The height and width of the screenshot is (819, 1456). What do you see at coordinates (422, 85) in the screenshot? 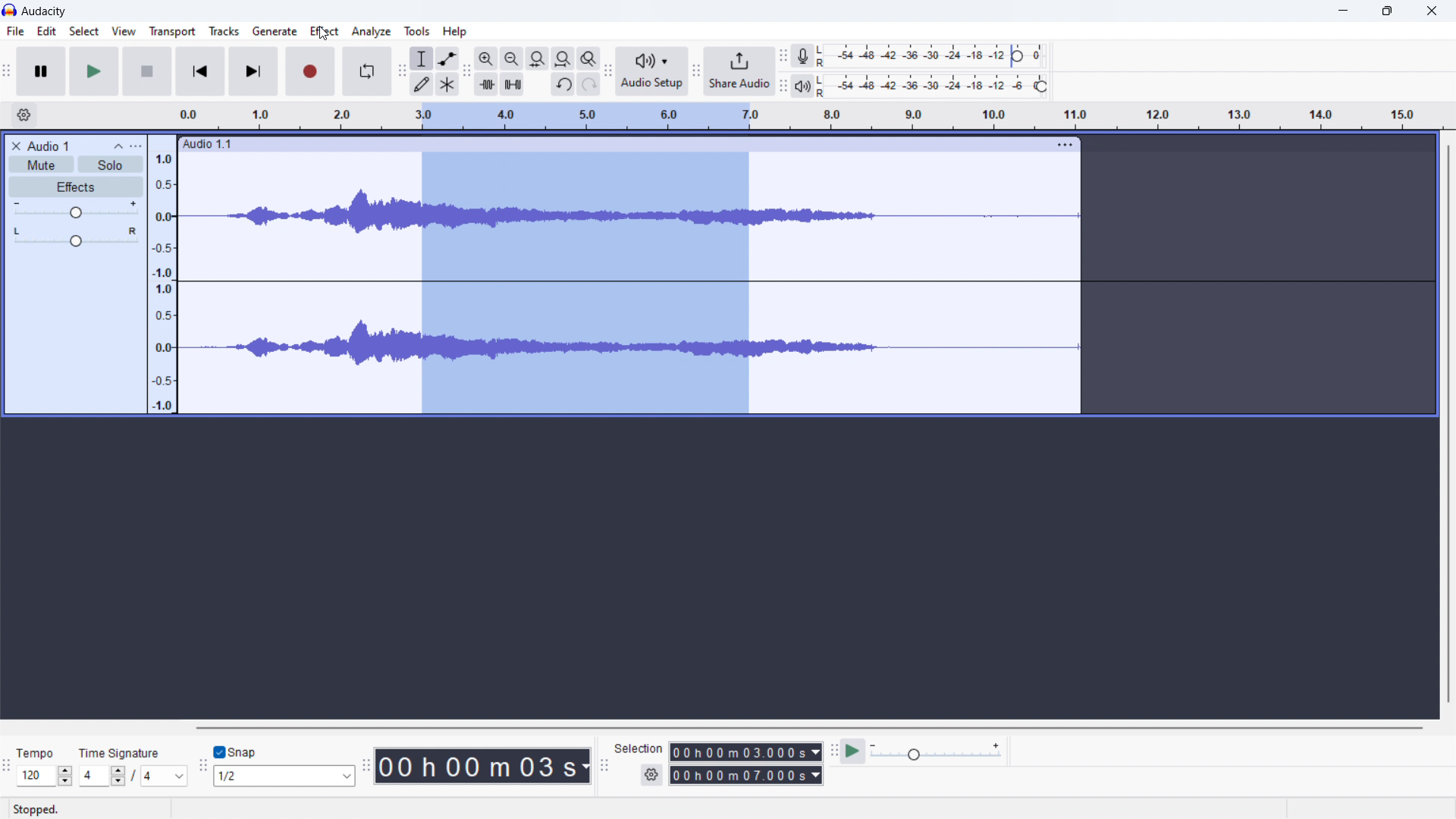
I see `draw tool` at bounding box center [422, 85].